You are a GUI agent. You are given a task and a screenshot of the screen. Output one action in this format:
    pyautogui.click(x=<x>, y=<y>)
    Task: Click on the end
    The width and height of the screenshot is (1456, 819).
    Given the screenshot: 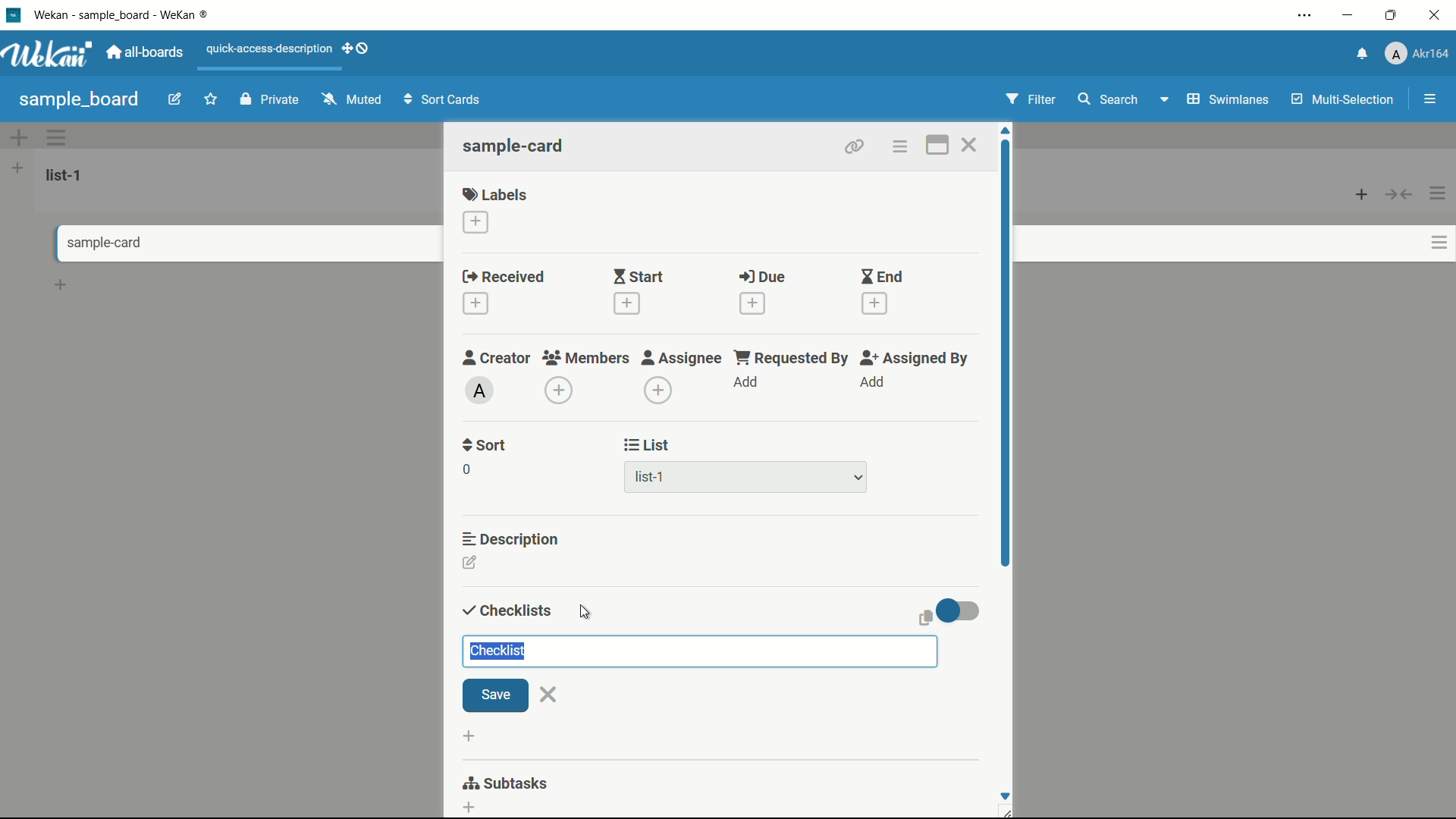 What is the action you would take?
    pyautogui.click(x=881, y=278)
    